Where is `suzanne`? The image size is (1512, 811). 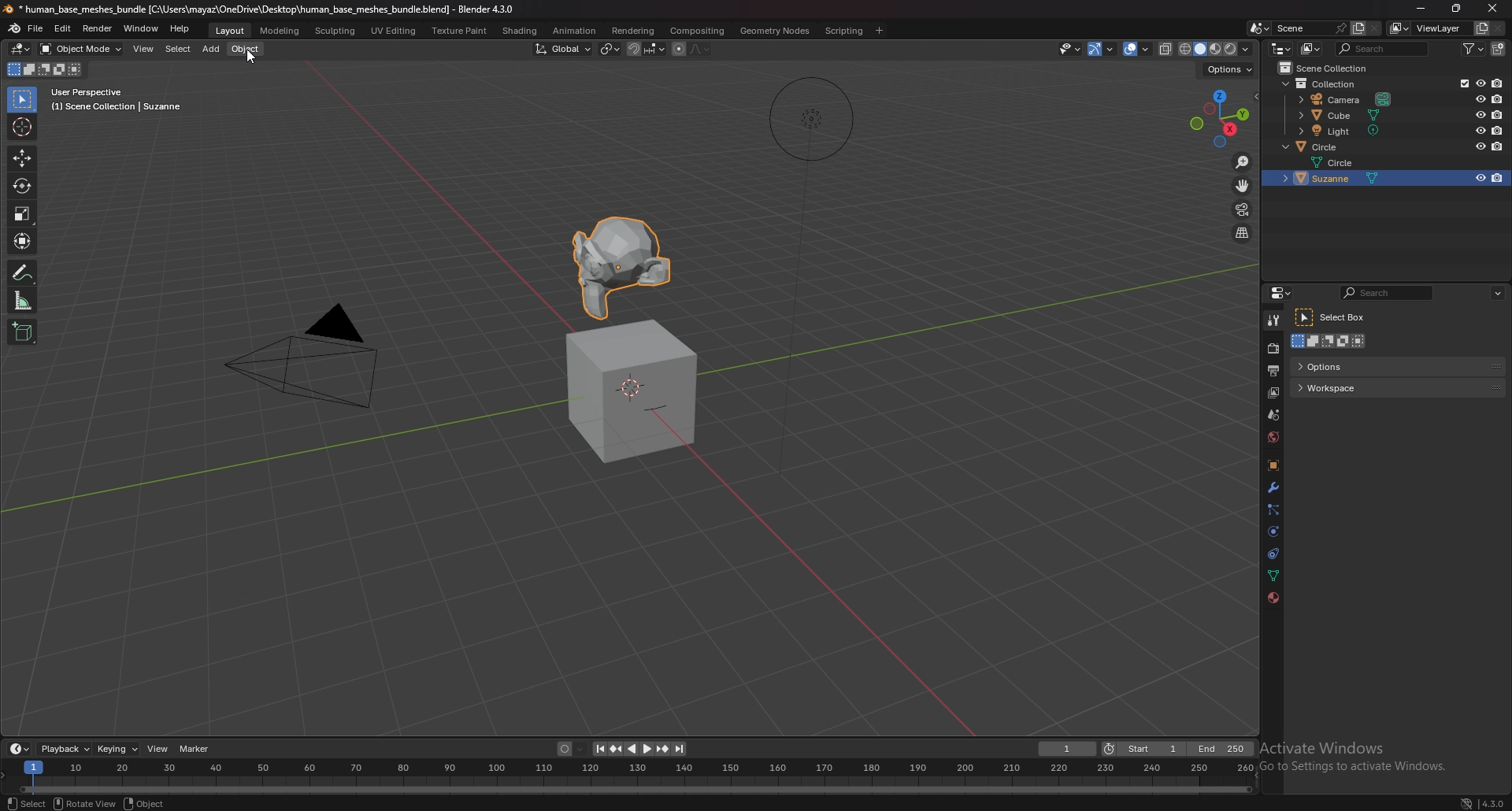
suzanne is located at coordinates (627, 260).